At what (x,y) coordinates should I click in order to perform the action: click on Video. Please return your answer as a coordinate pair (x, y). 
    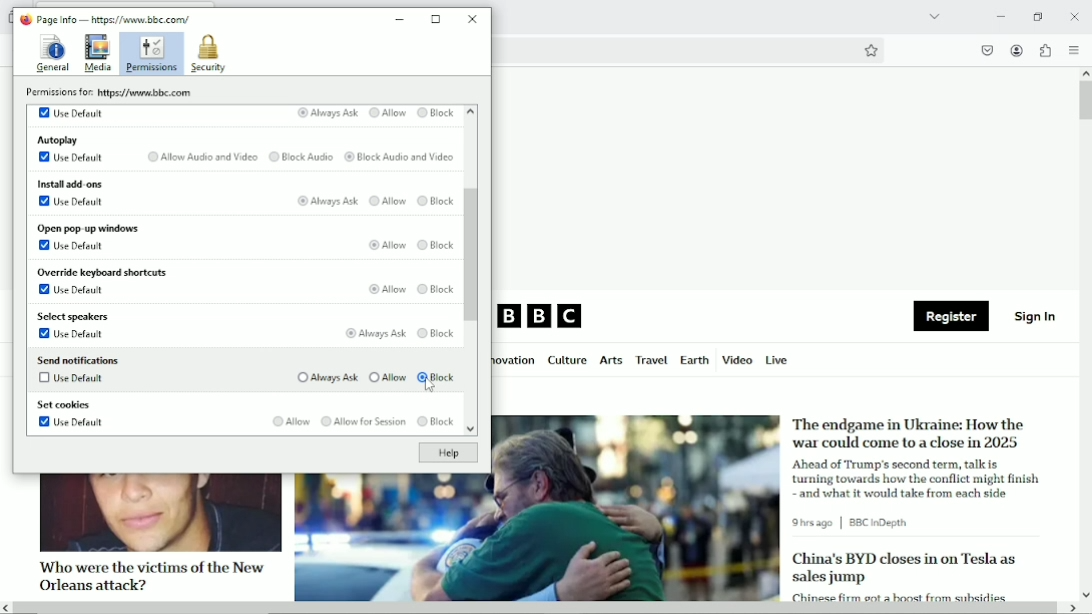
    Looking at the image, I should click on (737, 359).